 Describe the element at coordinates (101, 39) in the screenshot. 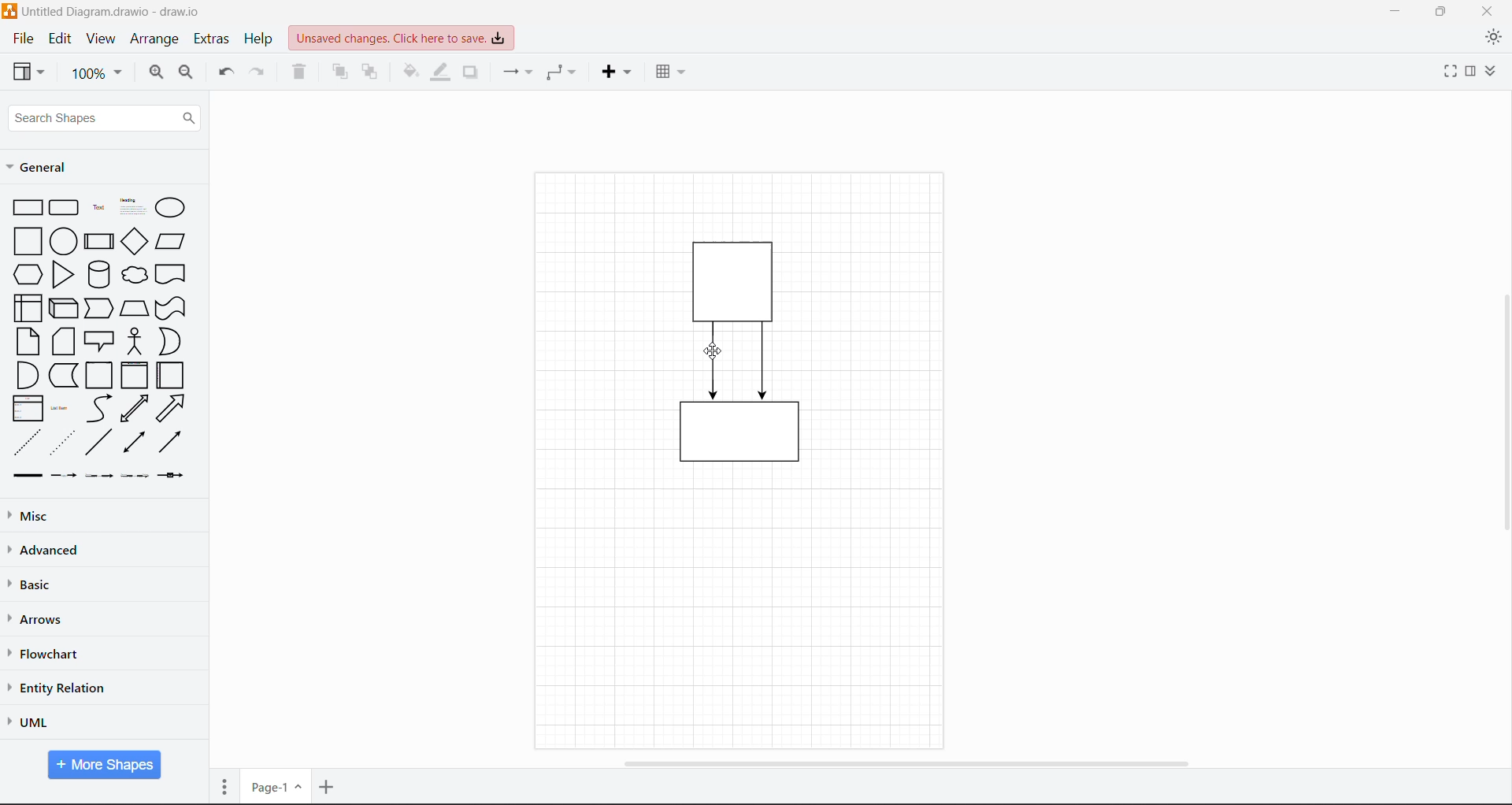

I see `View` at that location.